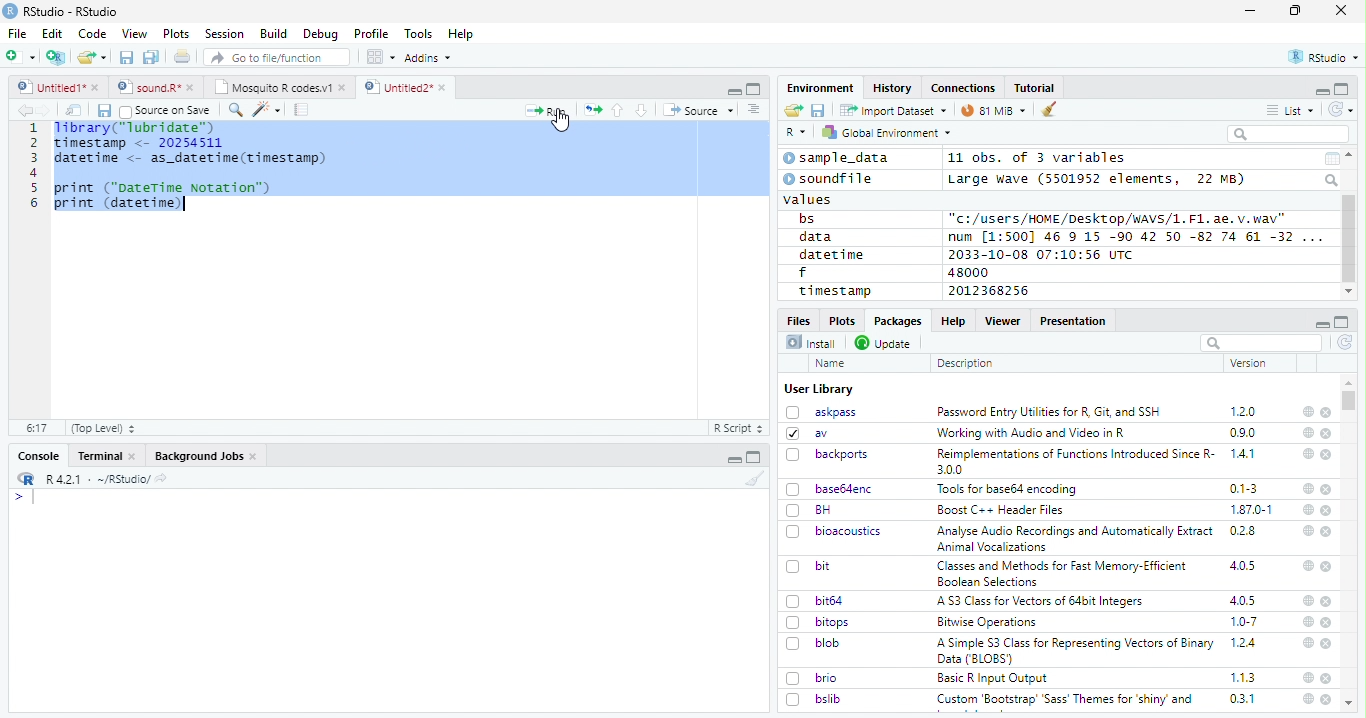 The image size is (1366, 718). What do you see at coordinates (809, 198) in the screenshot?
I see `values` at bounding box center [809, 198].